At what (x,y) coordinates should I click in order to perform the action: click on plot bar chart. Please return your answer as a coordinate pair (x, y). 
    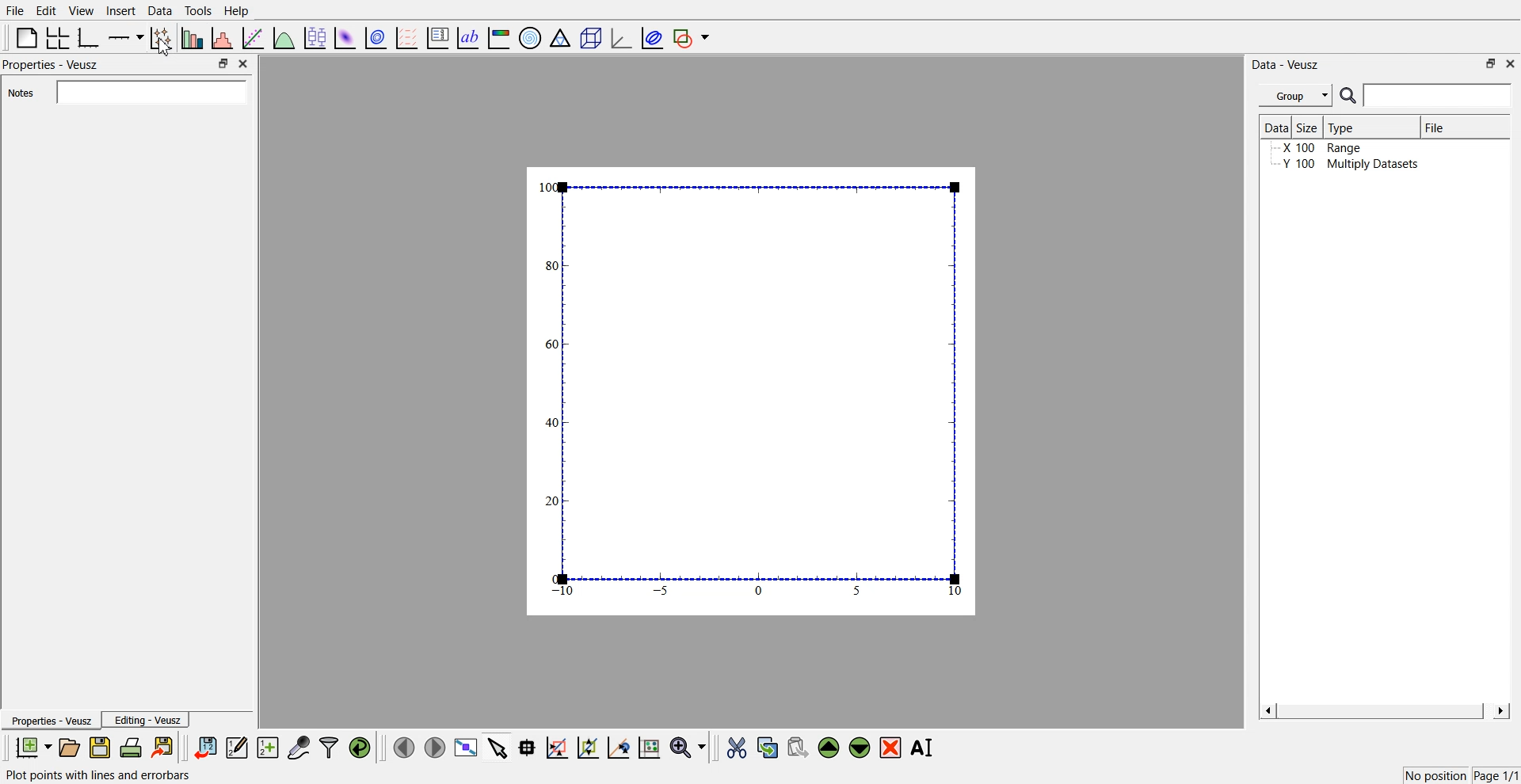
    Looking at the image, I should click on (192, 39).